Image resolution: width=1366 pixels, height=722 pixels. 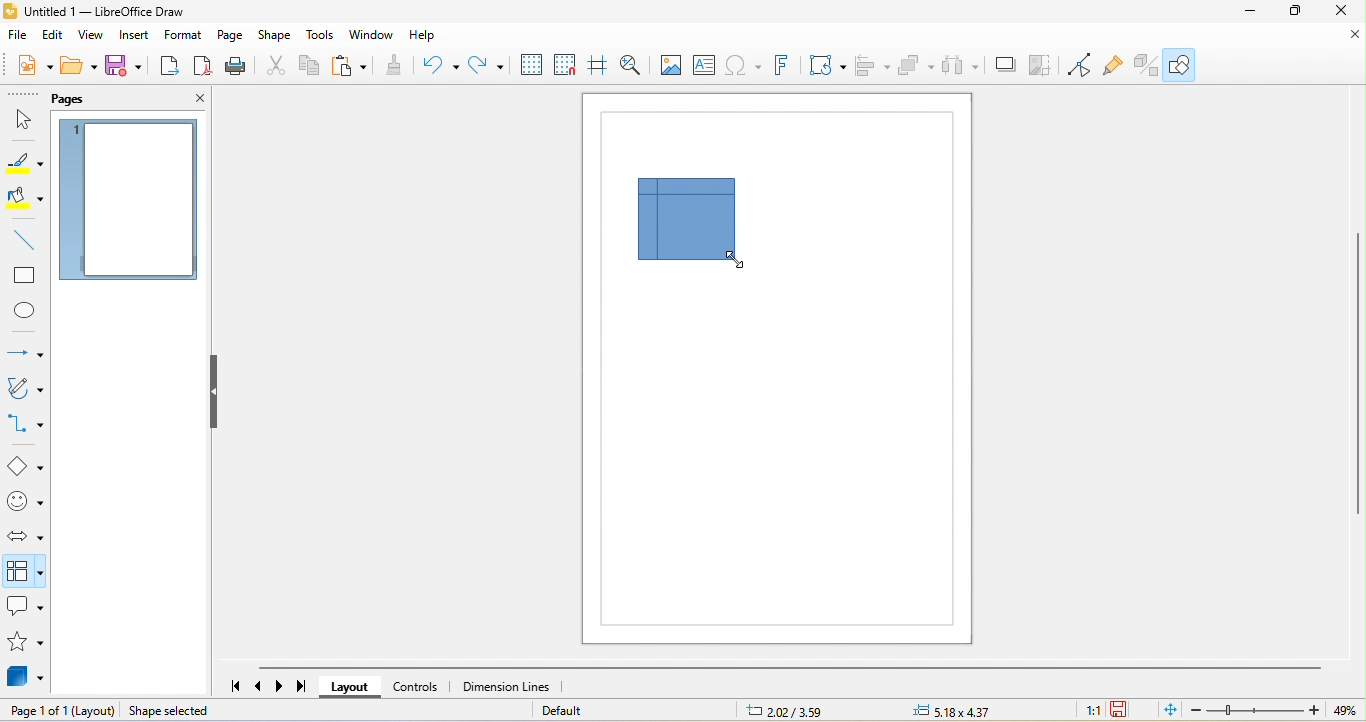 What do you see at coordinates (870, 66) in the screenshot?
I see `align object` at bounding box center [870, 66].